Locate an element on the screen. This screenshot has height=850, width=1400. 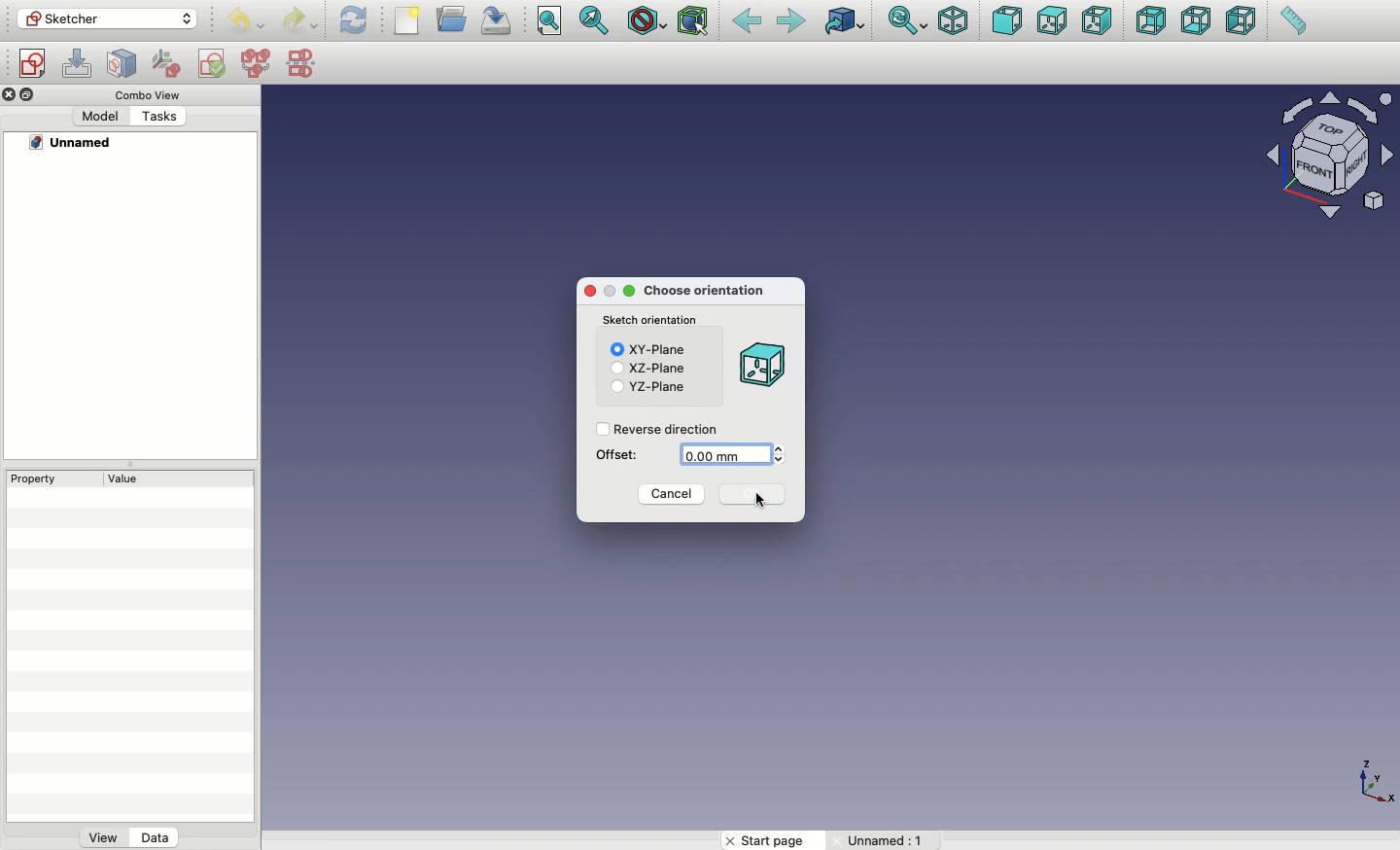
 is located at coordinates (631, 291).